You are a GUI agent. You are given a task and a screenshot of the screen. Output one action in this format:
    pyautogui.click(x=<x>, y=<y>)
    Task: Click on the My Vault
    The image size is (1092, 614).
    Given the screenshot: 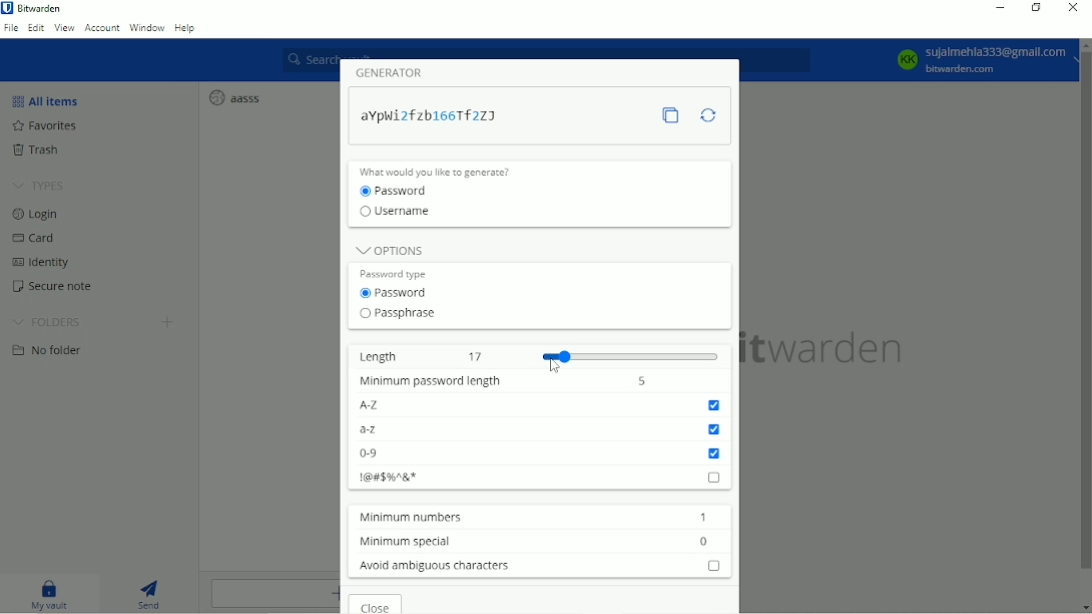 What is the action you would take?
    pyautogui.click(x=53, y=595)
    